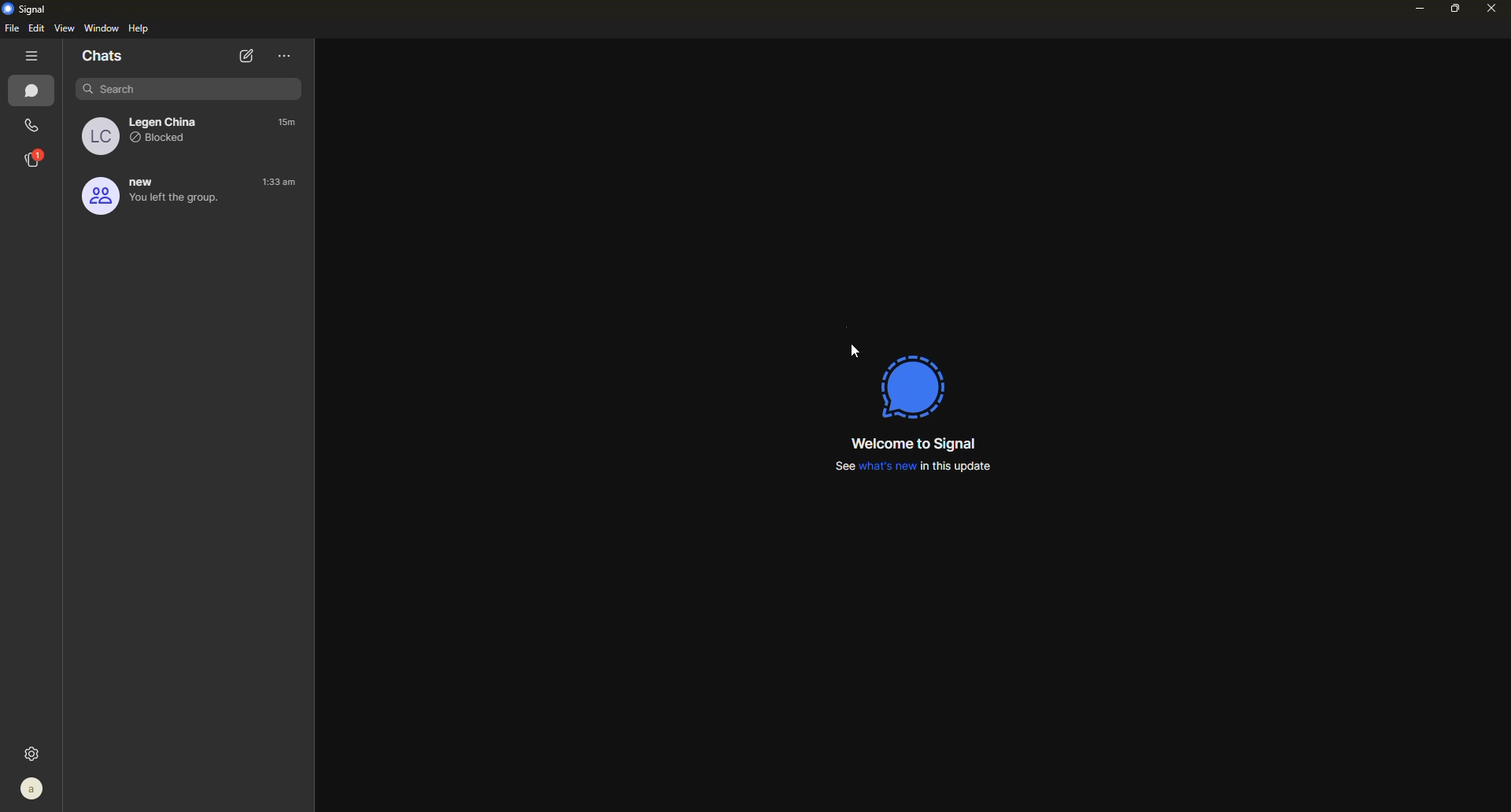 The width and height of the screenshot is (1511, 812). Describe the element at coordinates (180, 87) in the screenshot. I see `search` at that location.